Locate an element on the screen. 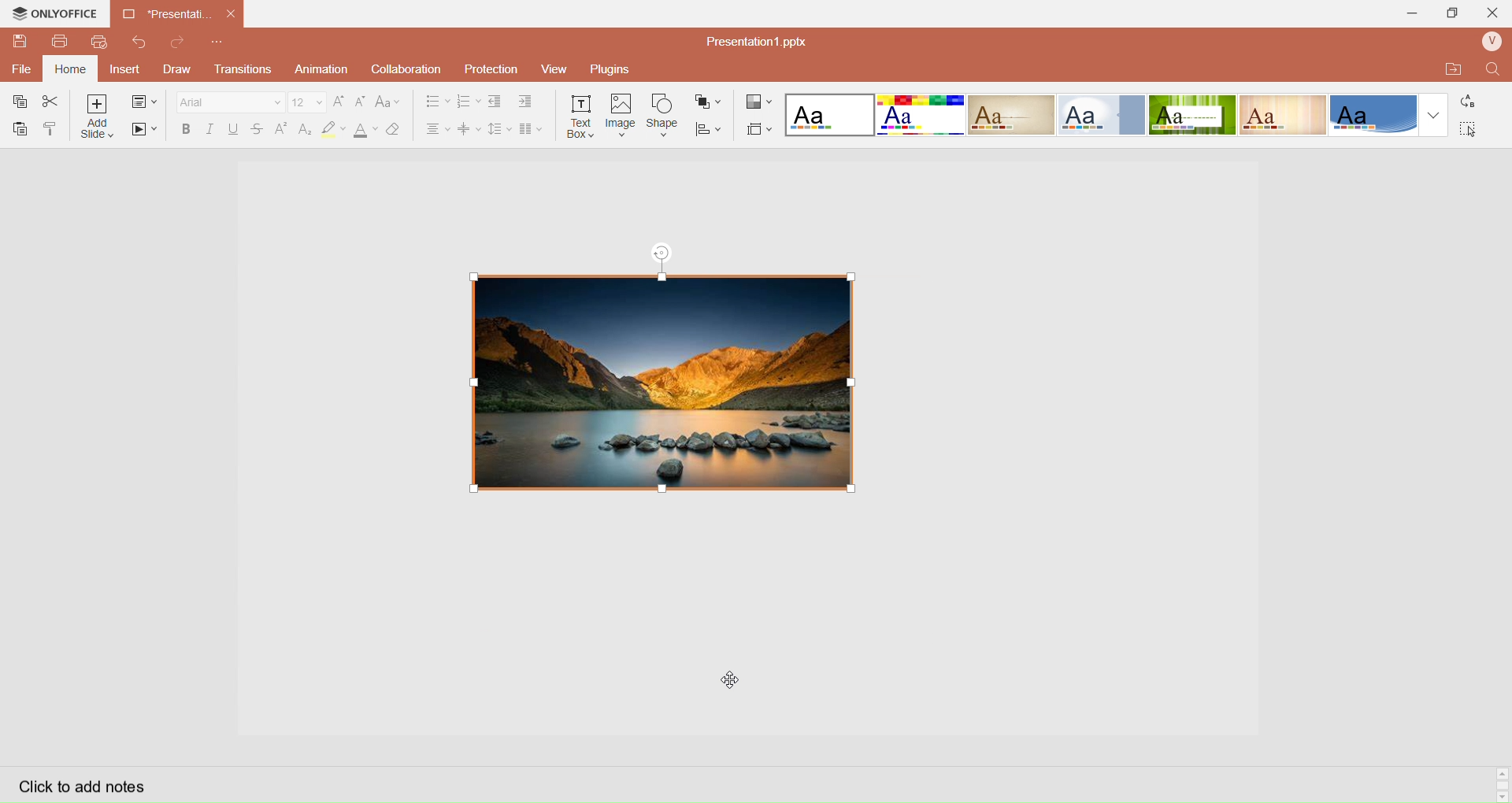  Click to add notes is located at coordinates (87, 785).